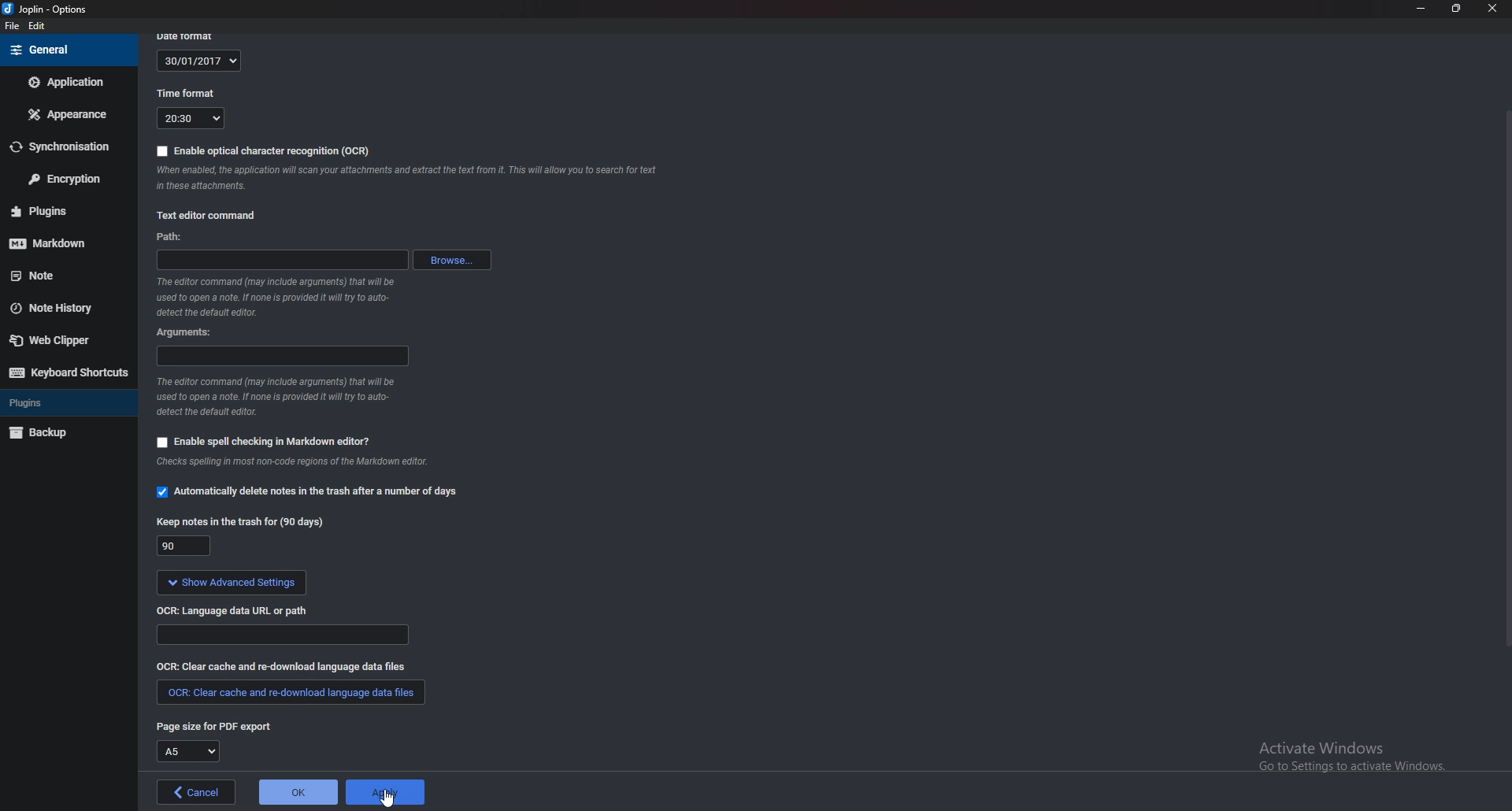 The image size is (1512, 811). Describe the element at coordinates (292, 462) in the screenshot. I see `Info on spell check` at that location.